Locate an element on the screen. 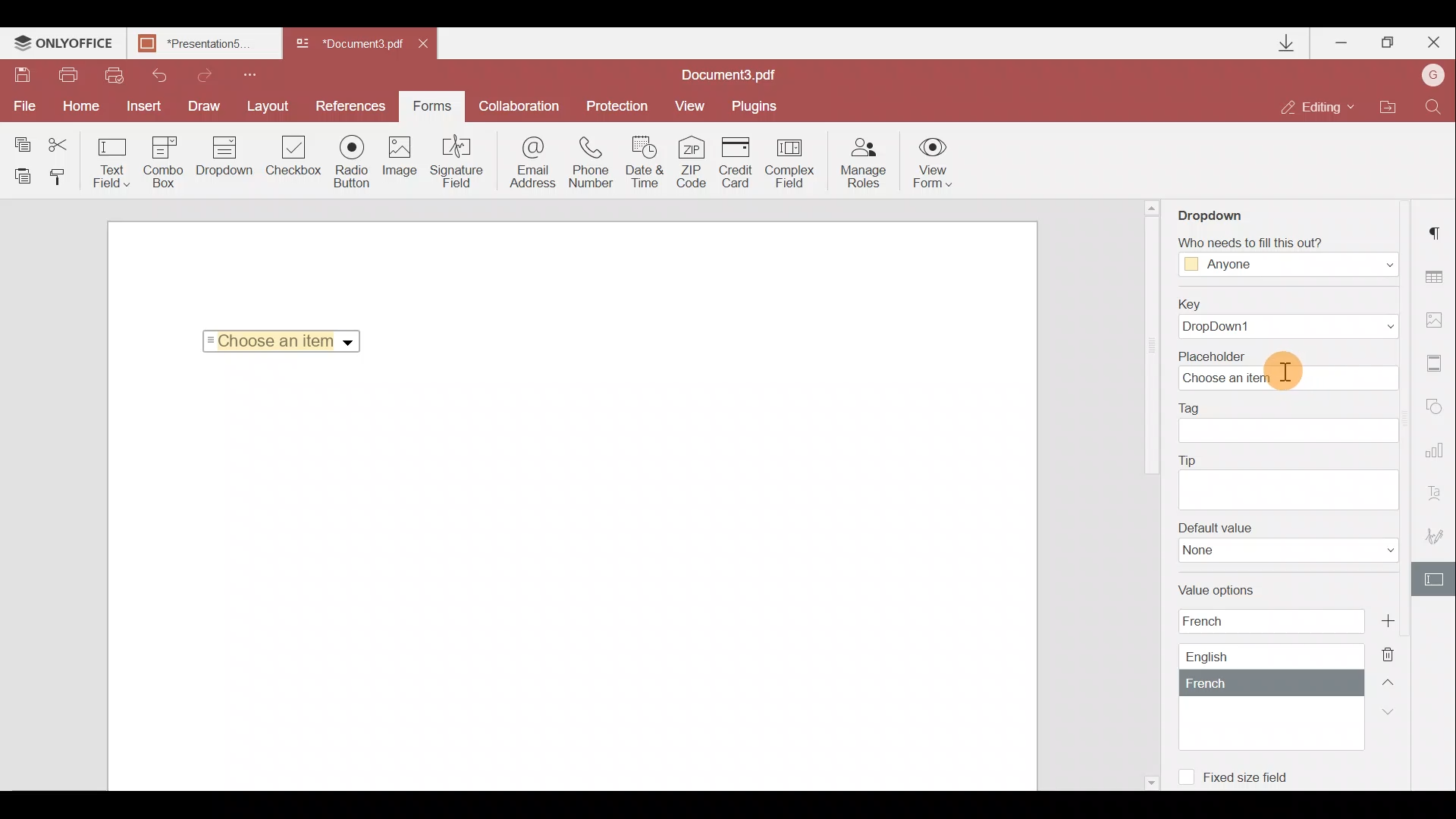 This screenshot has width=1456, height=819. Placeholder is located at coordinates (1293, 369).